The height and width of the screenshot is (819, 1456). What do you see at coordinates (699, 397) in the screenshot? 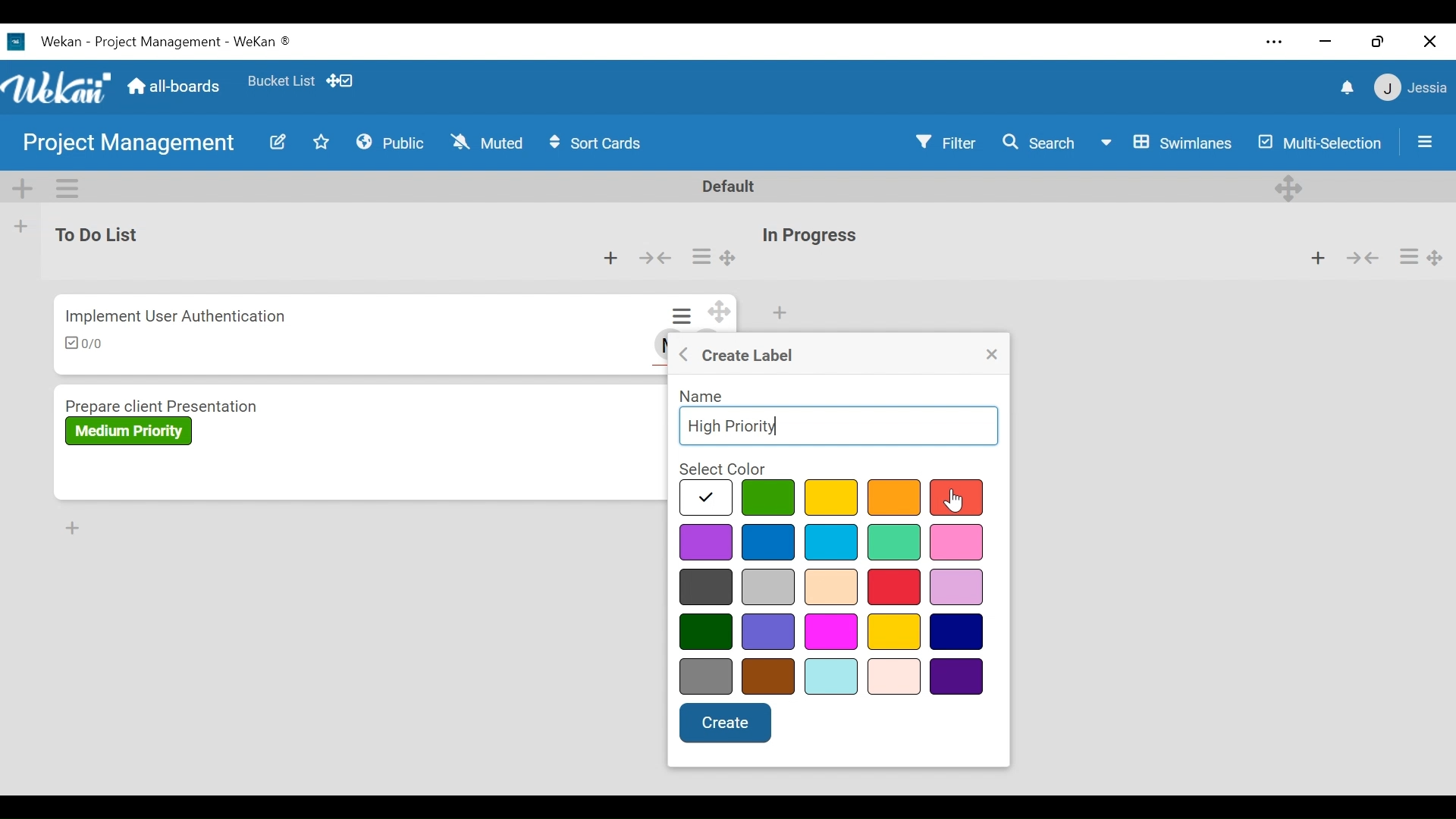
I see `Name` at bounding box center [699, 397].